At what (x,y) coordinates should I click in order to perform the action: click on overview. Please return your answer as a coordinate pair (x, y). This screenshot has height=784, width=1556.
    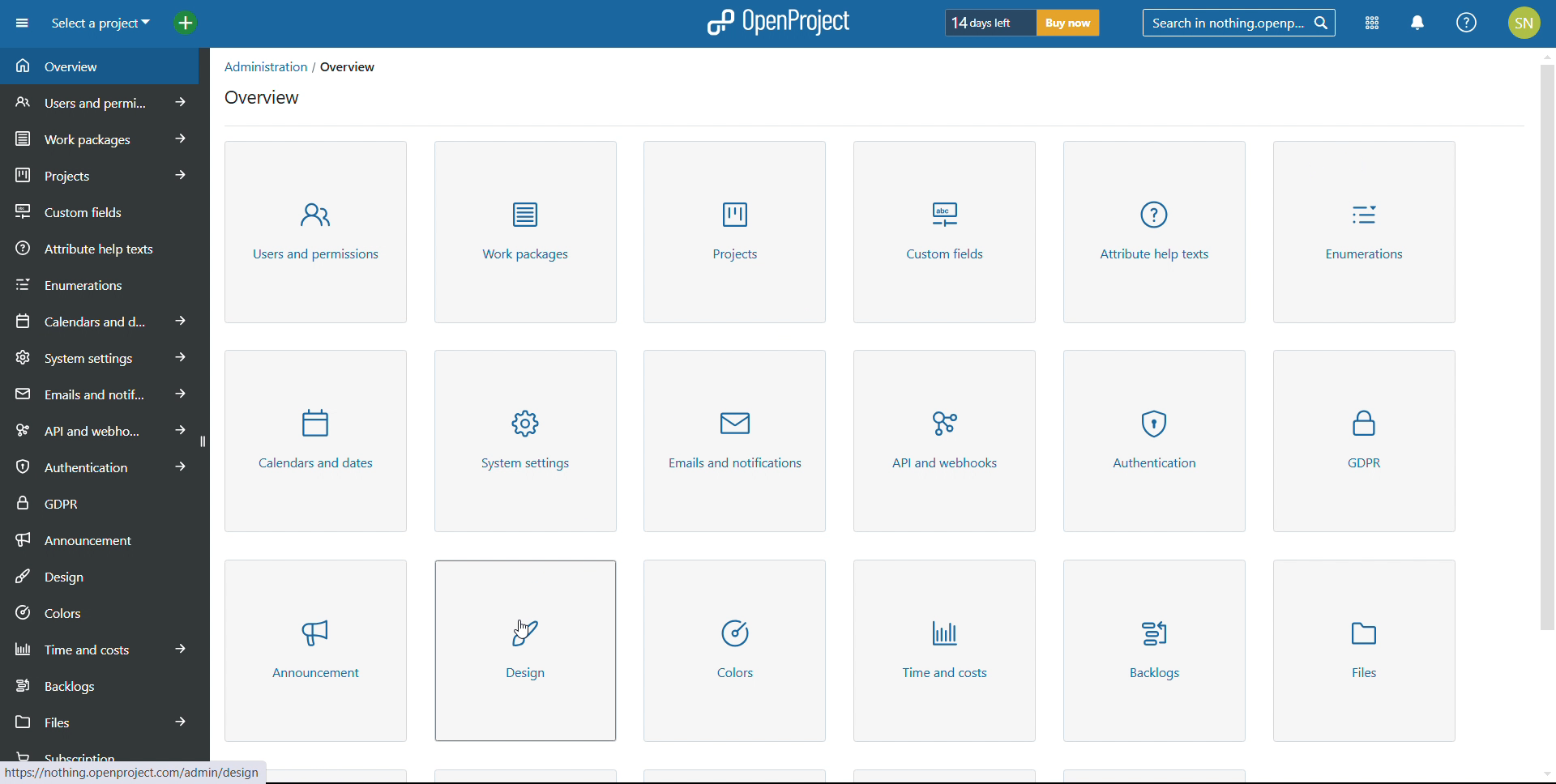
    Looking at the image, I should click on (263, 97).